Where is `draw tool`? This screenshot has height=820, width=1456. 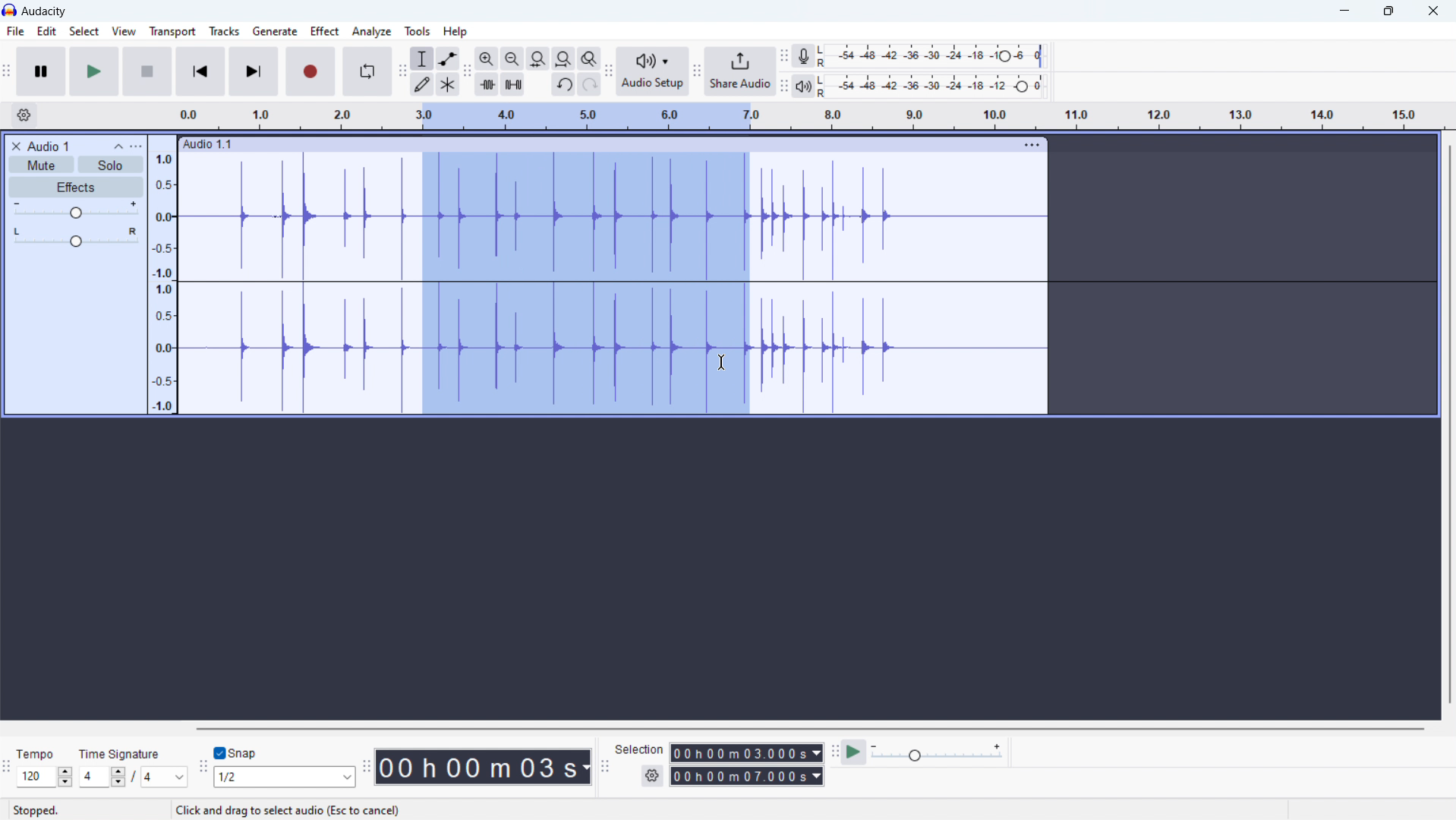 draw tool is located at coordinates (421, 84).